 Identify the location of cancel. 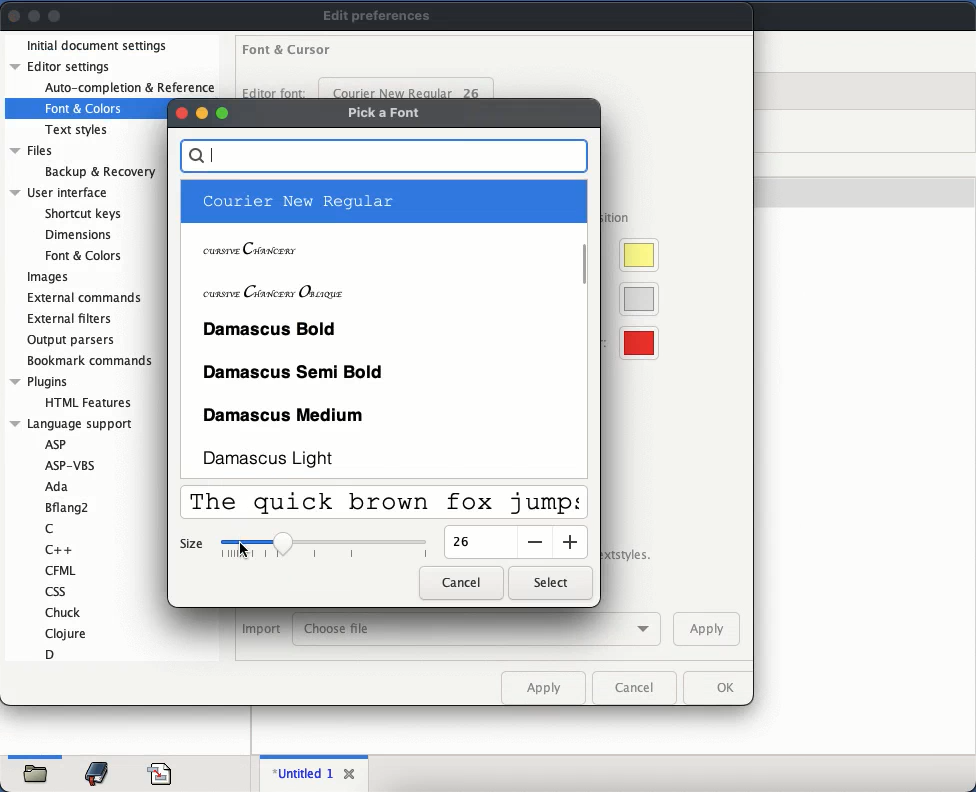
(459, 583).